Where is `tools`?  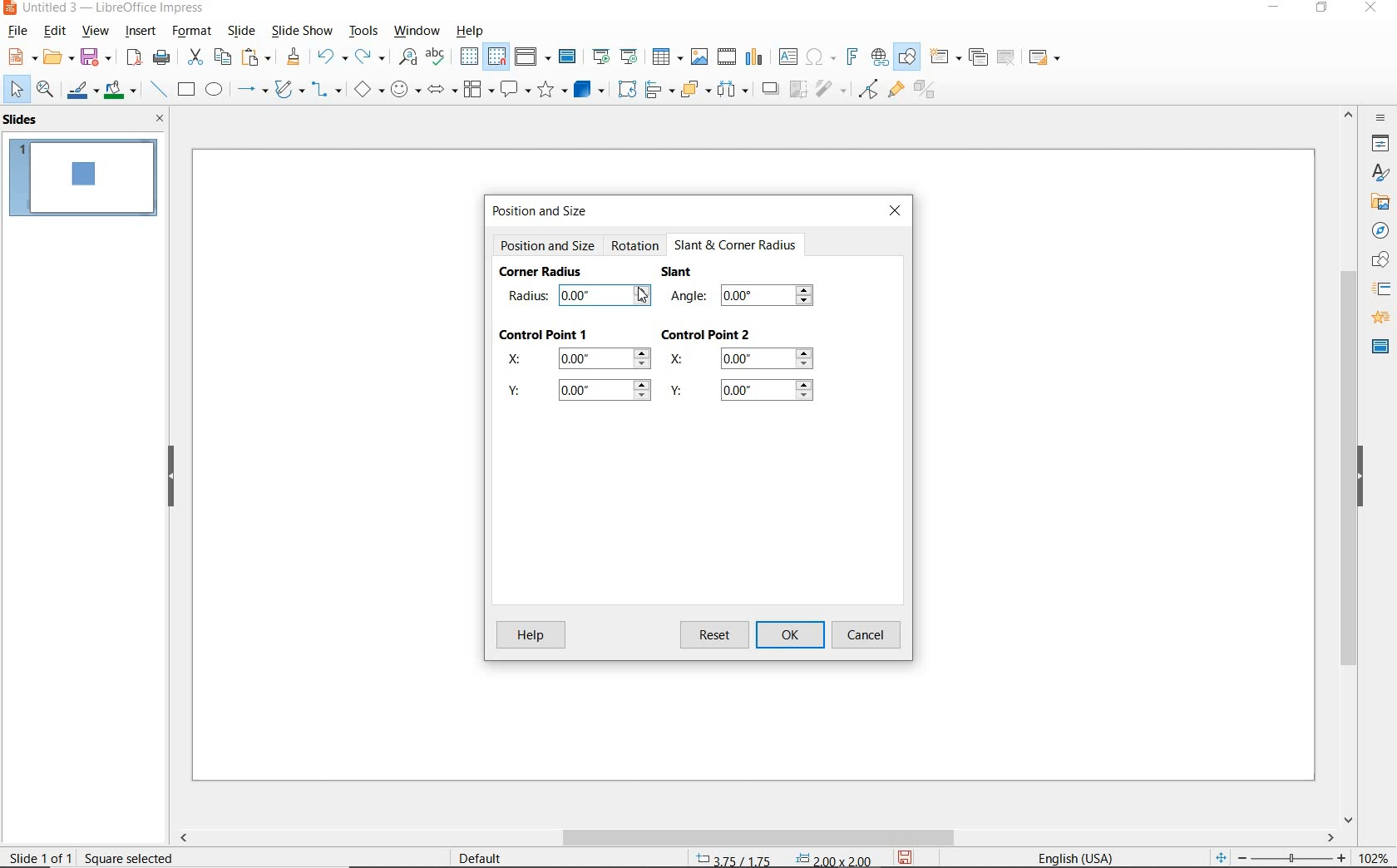 tools is located at coordinates (365, 32).